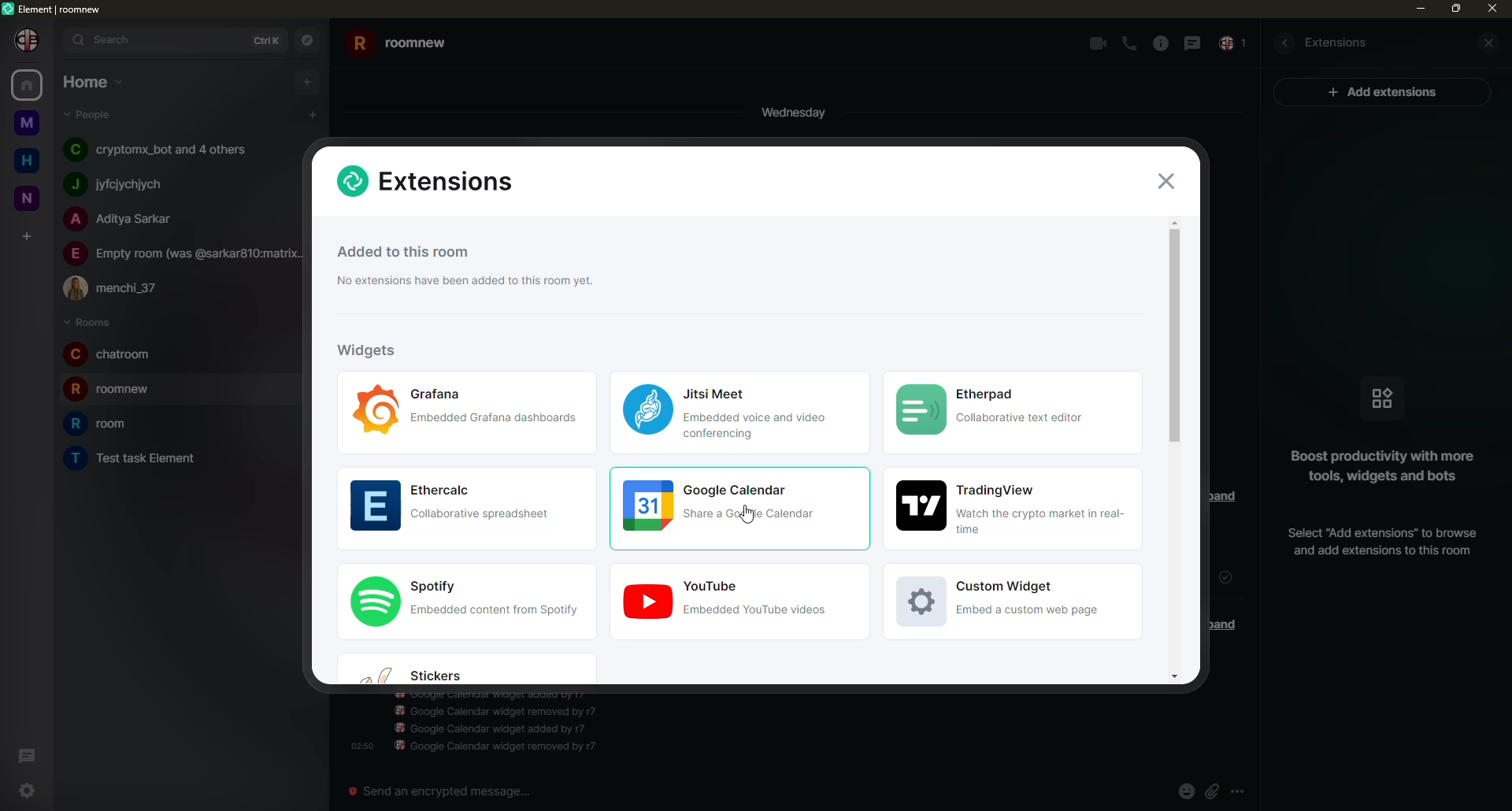  I want to click on people, so click(125, 220).